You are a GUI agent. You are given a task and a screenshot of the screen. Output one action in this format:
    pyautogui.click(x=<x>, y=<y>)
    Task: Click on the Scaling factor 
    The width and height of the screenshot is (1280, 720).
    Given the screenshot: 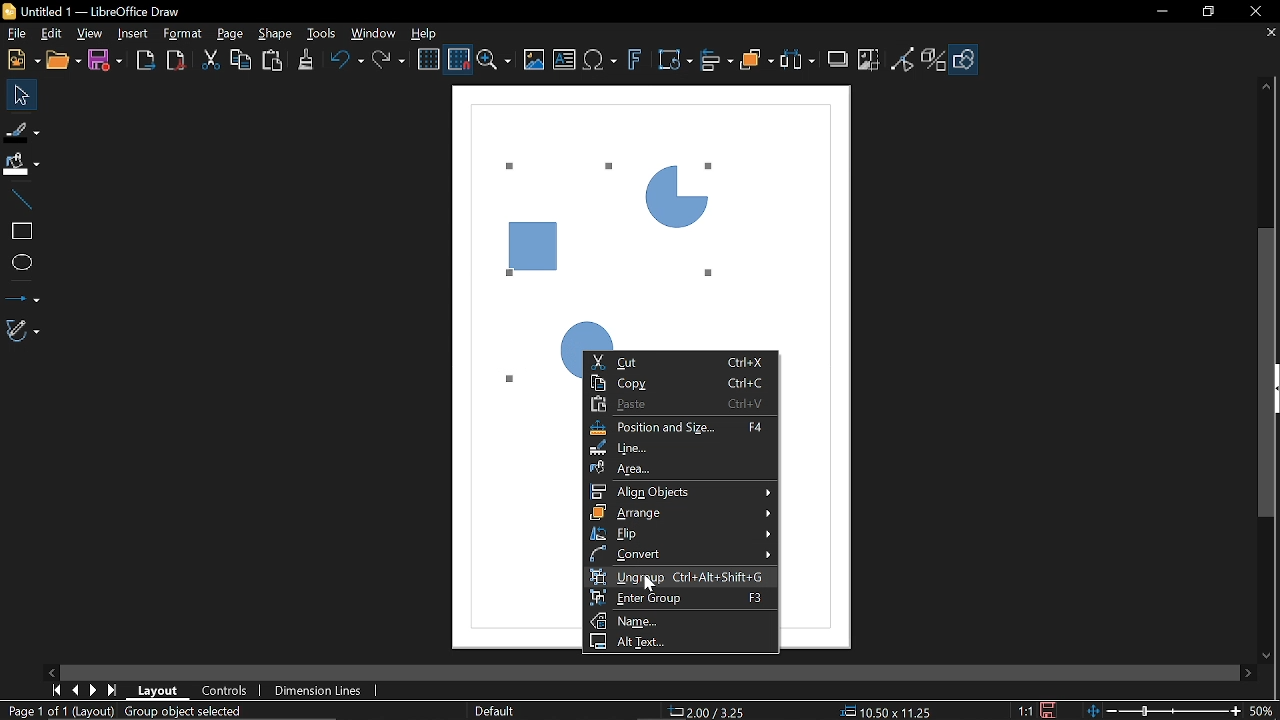 What is the action you would take?
    pyautogui.click(x=1024, y=710)
    